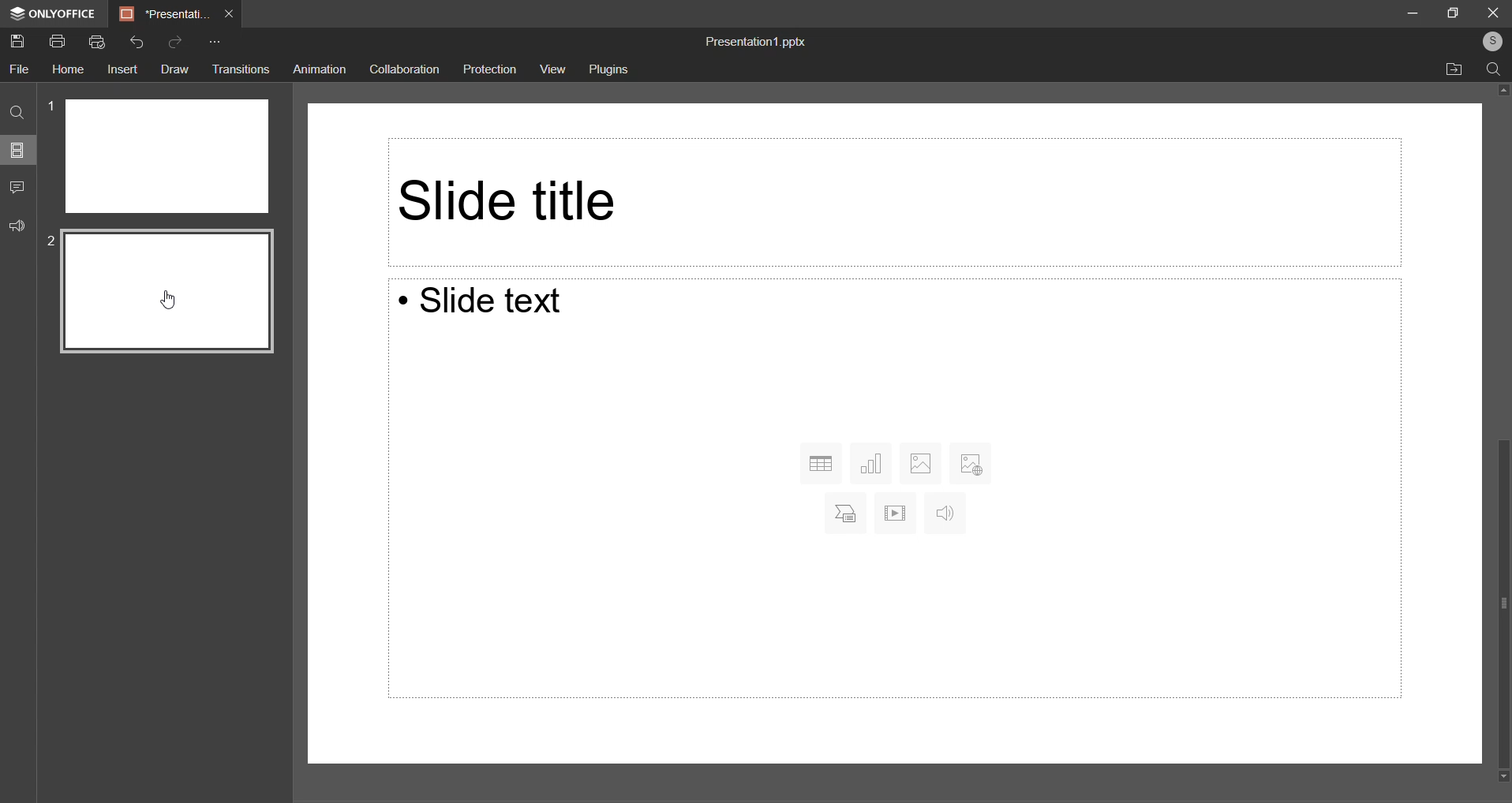 Image resolution: width=1512 pixels, height=803 pixels. What do you see at coordinates (20, 227) in the screenshot?
I see `Feedback` at bounding box center [20, 227].